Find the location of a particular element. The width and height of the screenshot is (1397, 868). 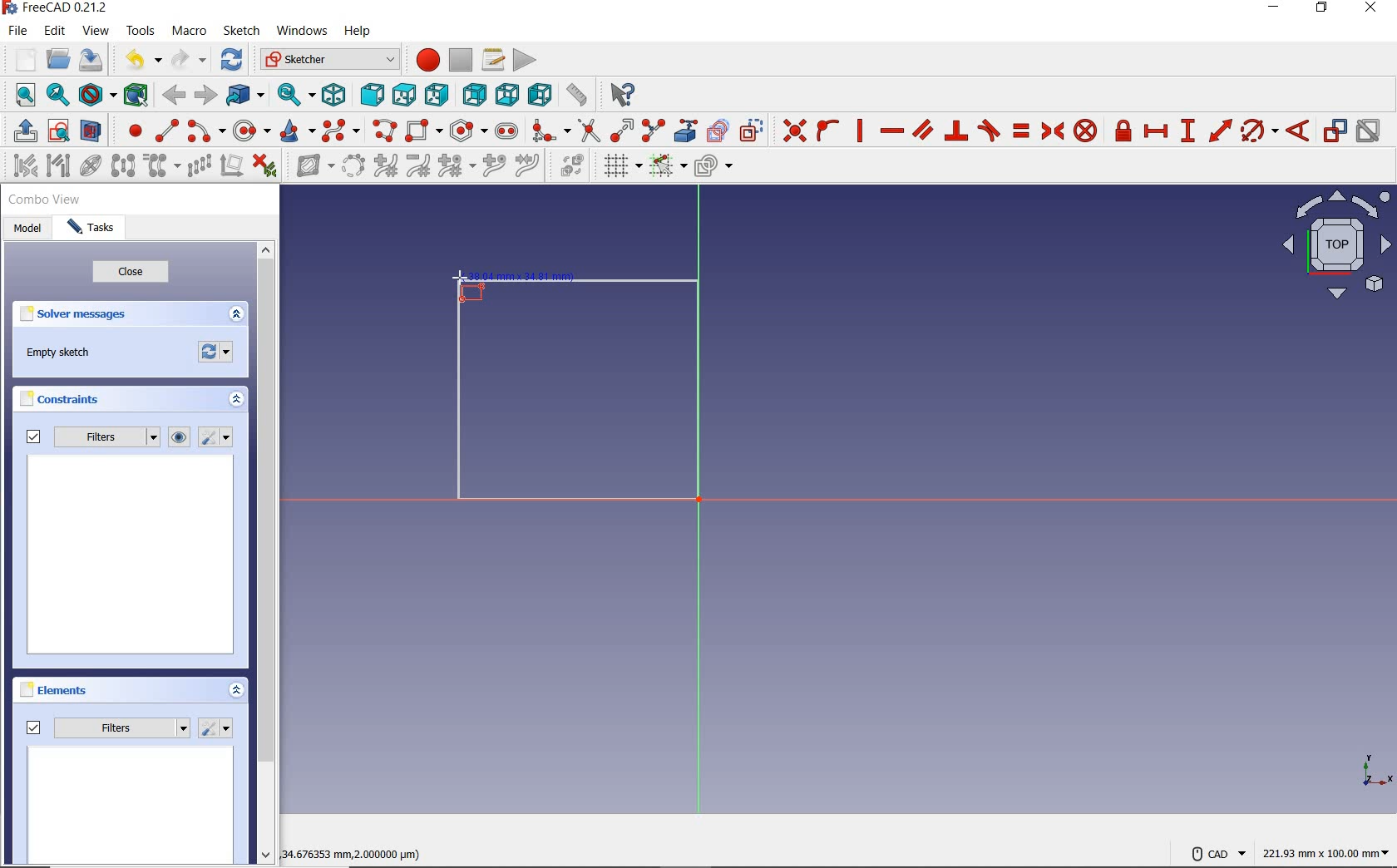

view section is located at coordinates (91, 131).